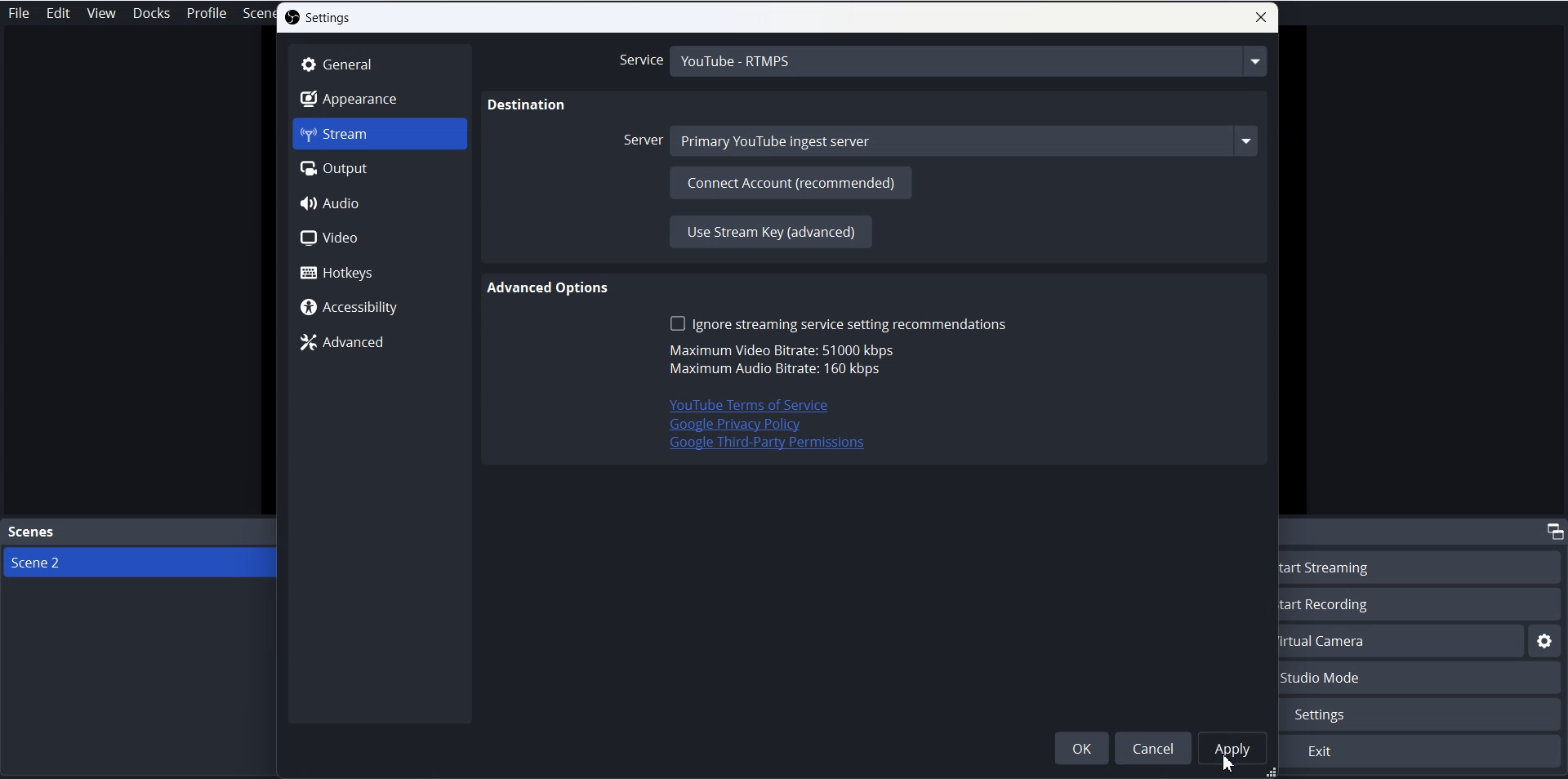  I want to click on close, so click(1261, 17).